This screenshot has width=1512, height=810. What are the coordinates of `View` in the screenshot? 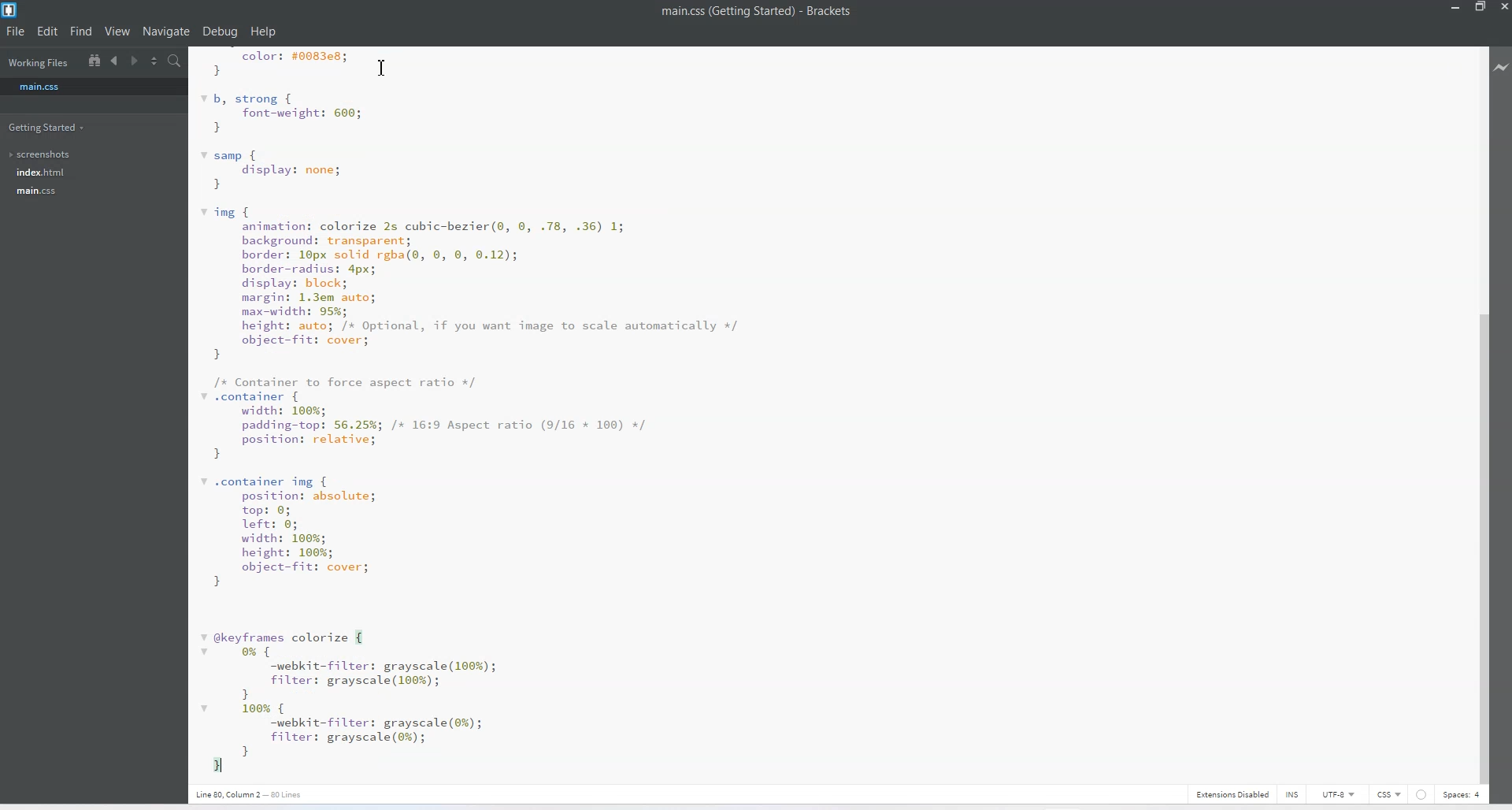 It's located at (117, 32).